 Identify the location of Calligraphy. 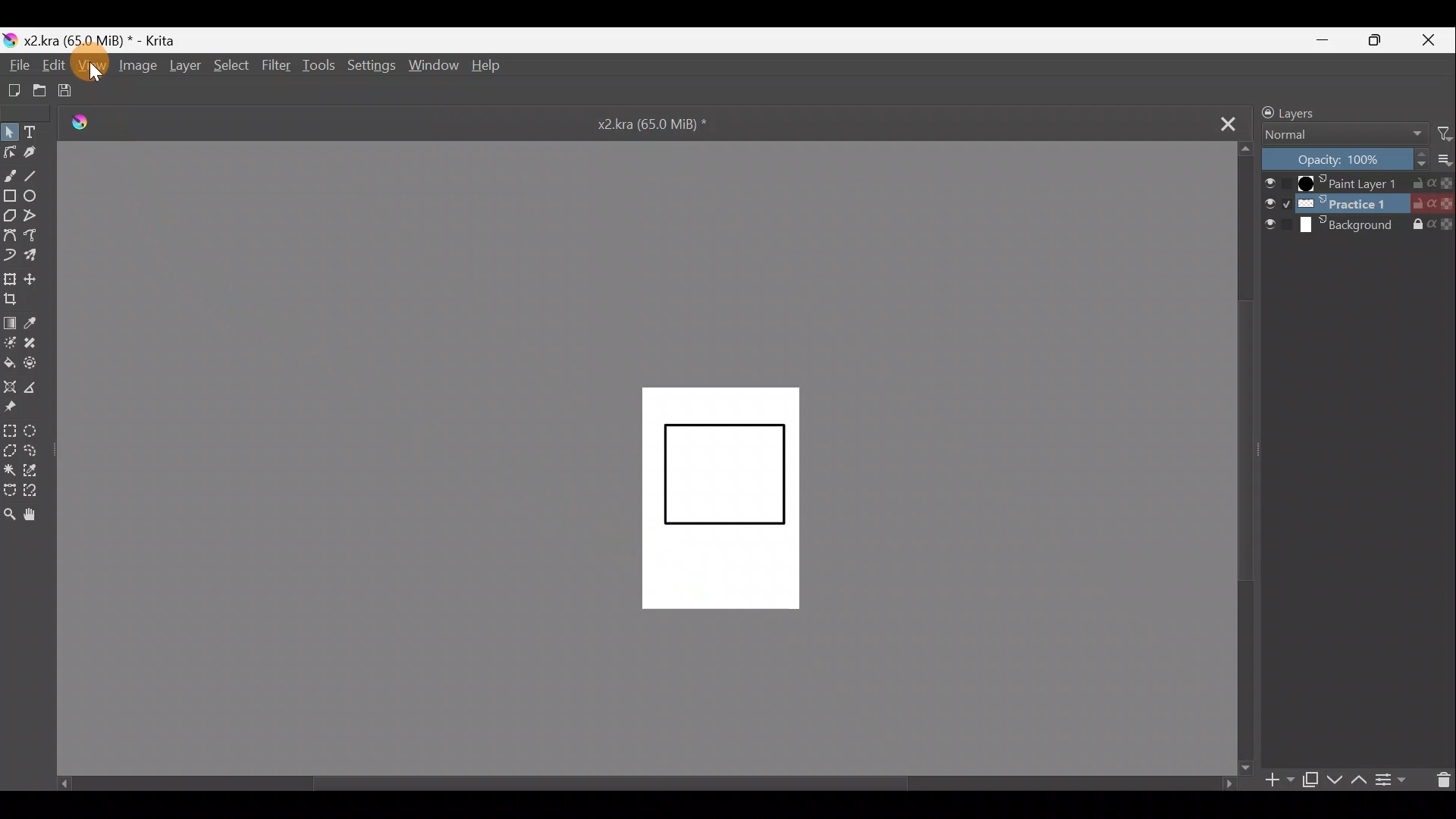
(33, 153).